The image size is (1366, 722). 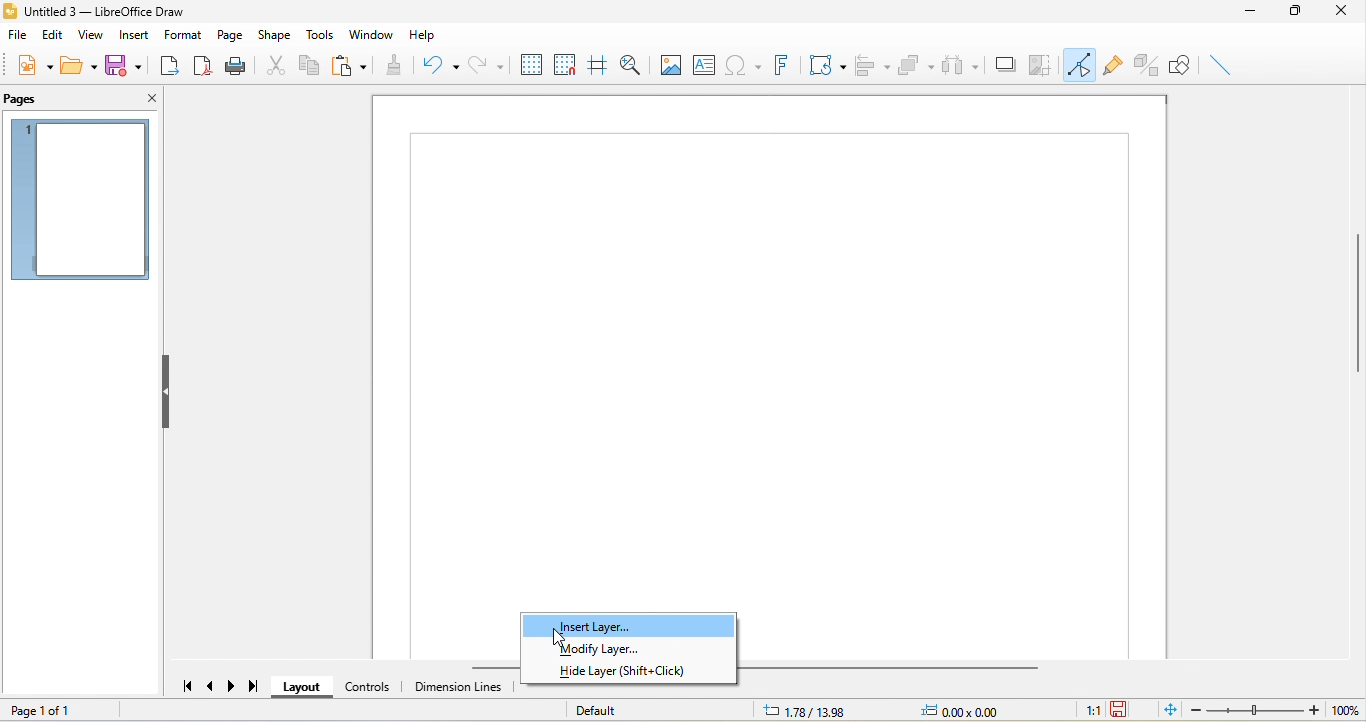 What do you see at coordinates (428, 31) in the screenshot?
I see `help` at bounding box center [428, 31].